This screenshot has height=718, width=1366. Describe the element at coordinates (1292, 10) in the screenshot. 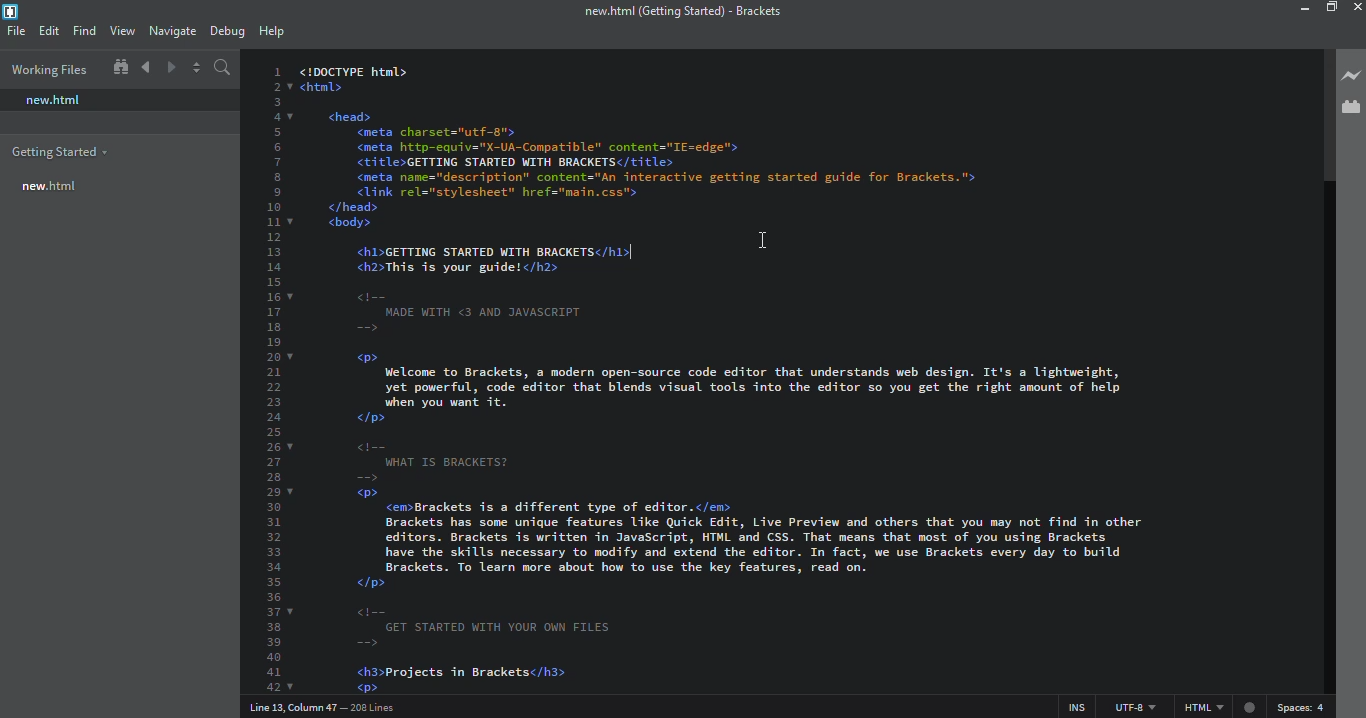

I see `minimize` at that location.